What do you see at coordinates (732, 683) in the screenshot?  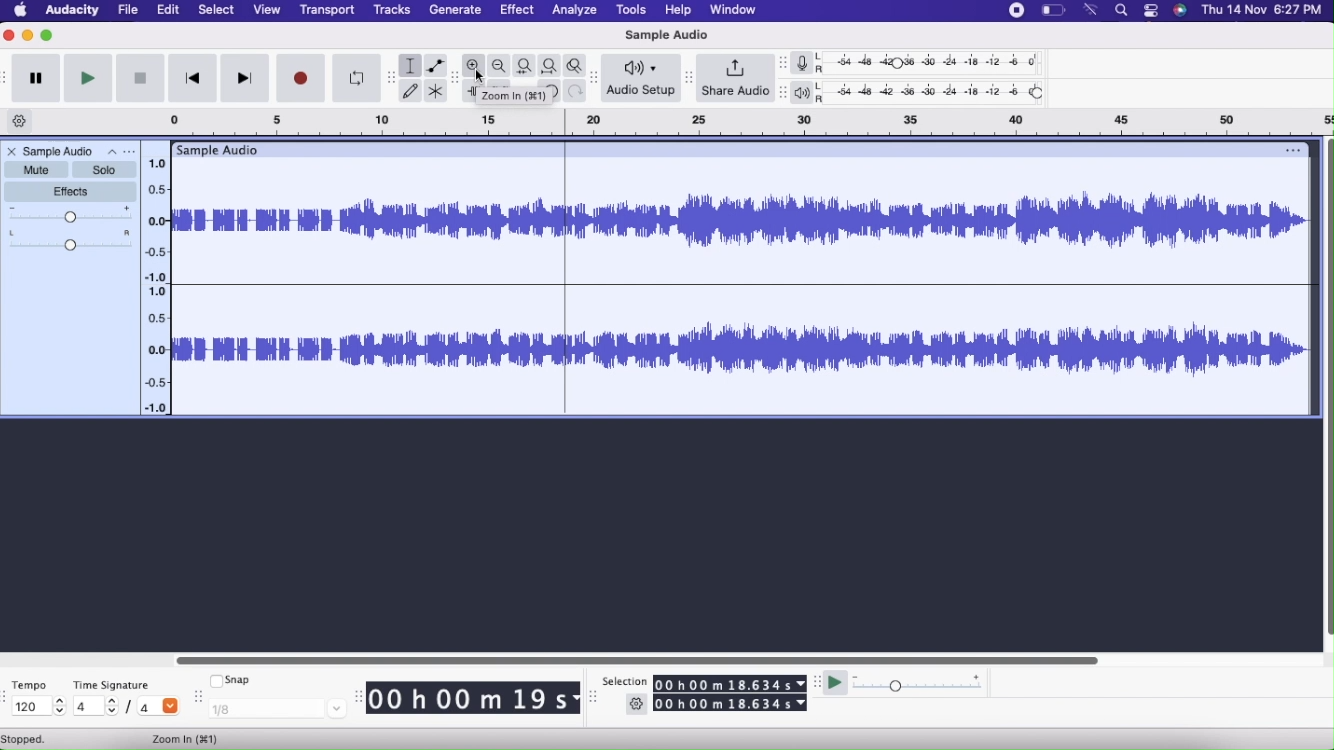 I see `00 h 00 m 18.634 s` at bounding box center [732, 683].